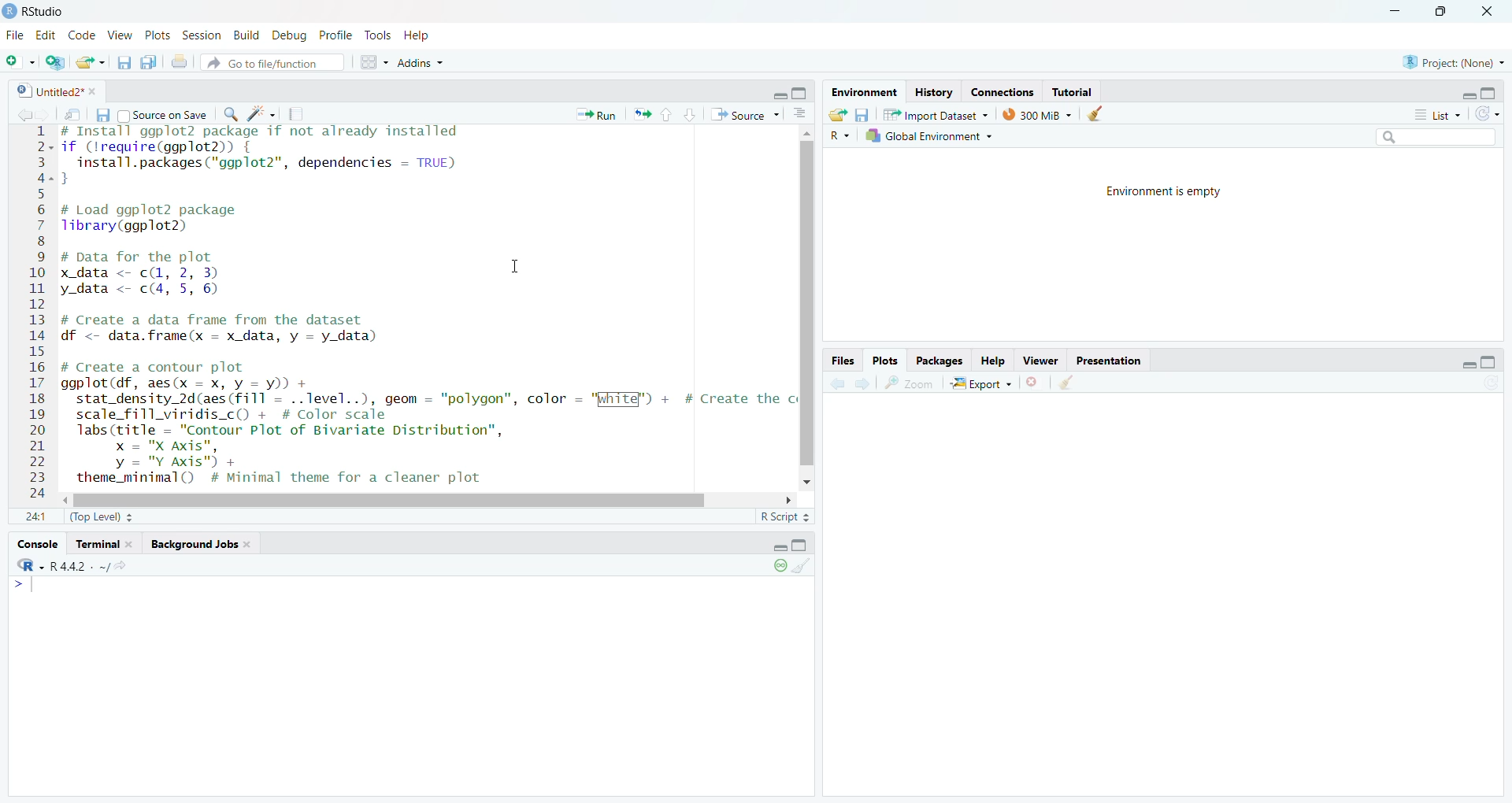  I want to click on View, so click(117, 36).